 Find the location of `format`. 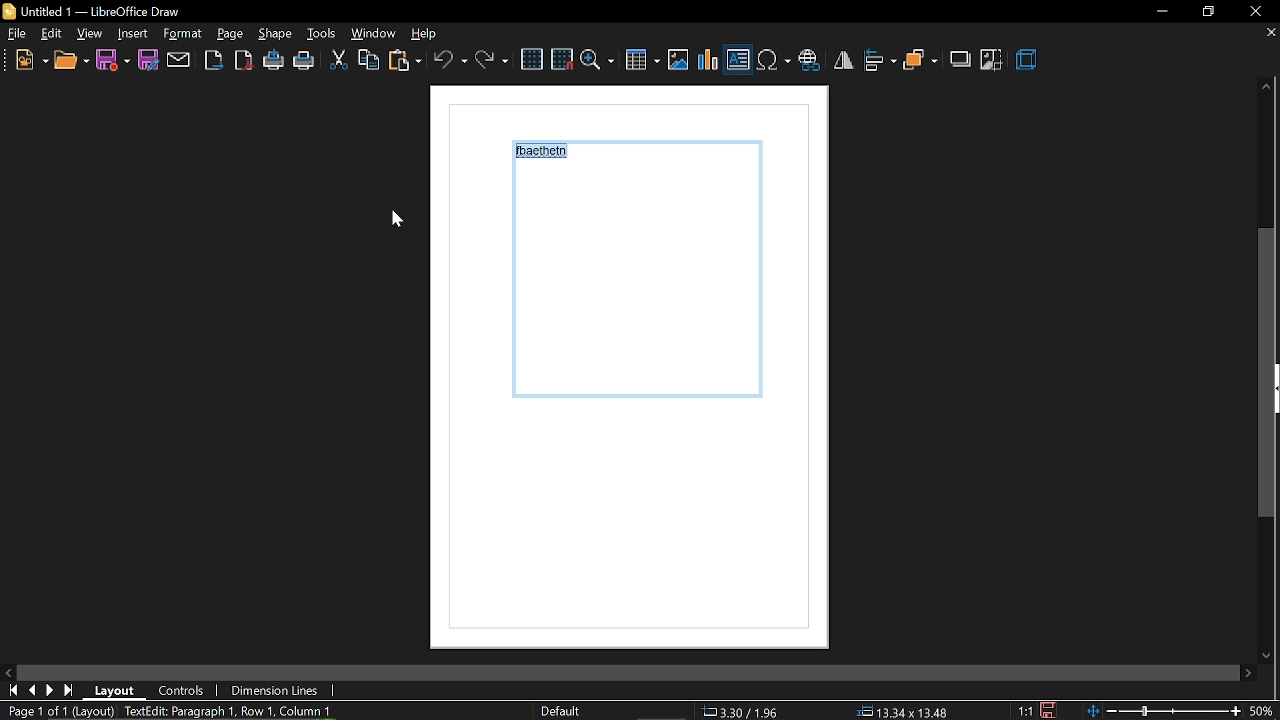

format is located at coordinates (231, 34).